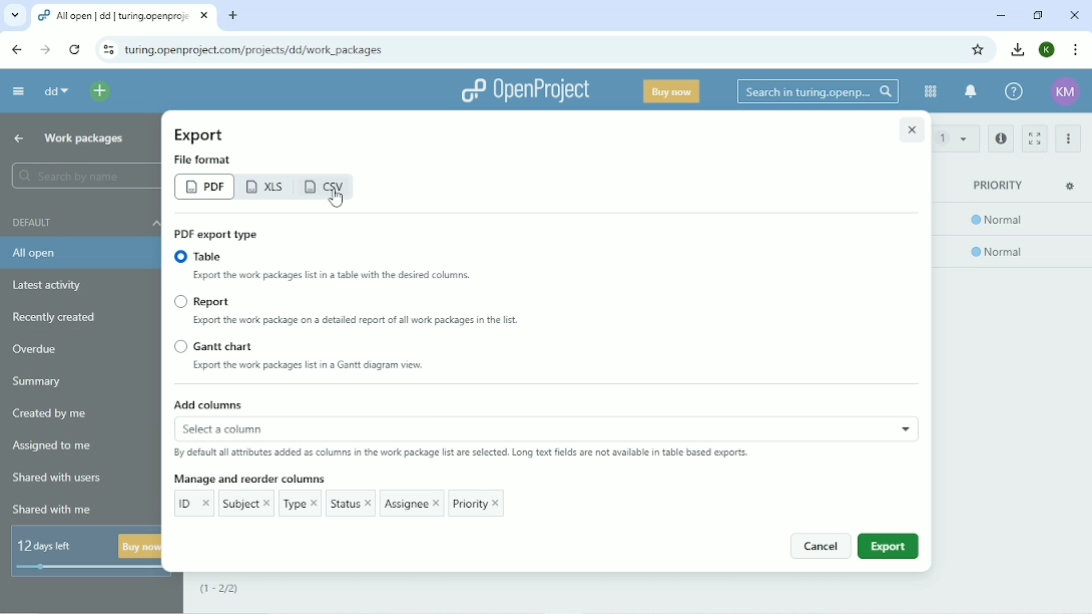 This screenshot has height=614, width=1092. What do you see at coordinates (350, 504) in the screenshot?
I see `Status` at bounding box center [350, 504].